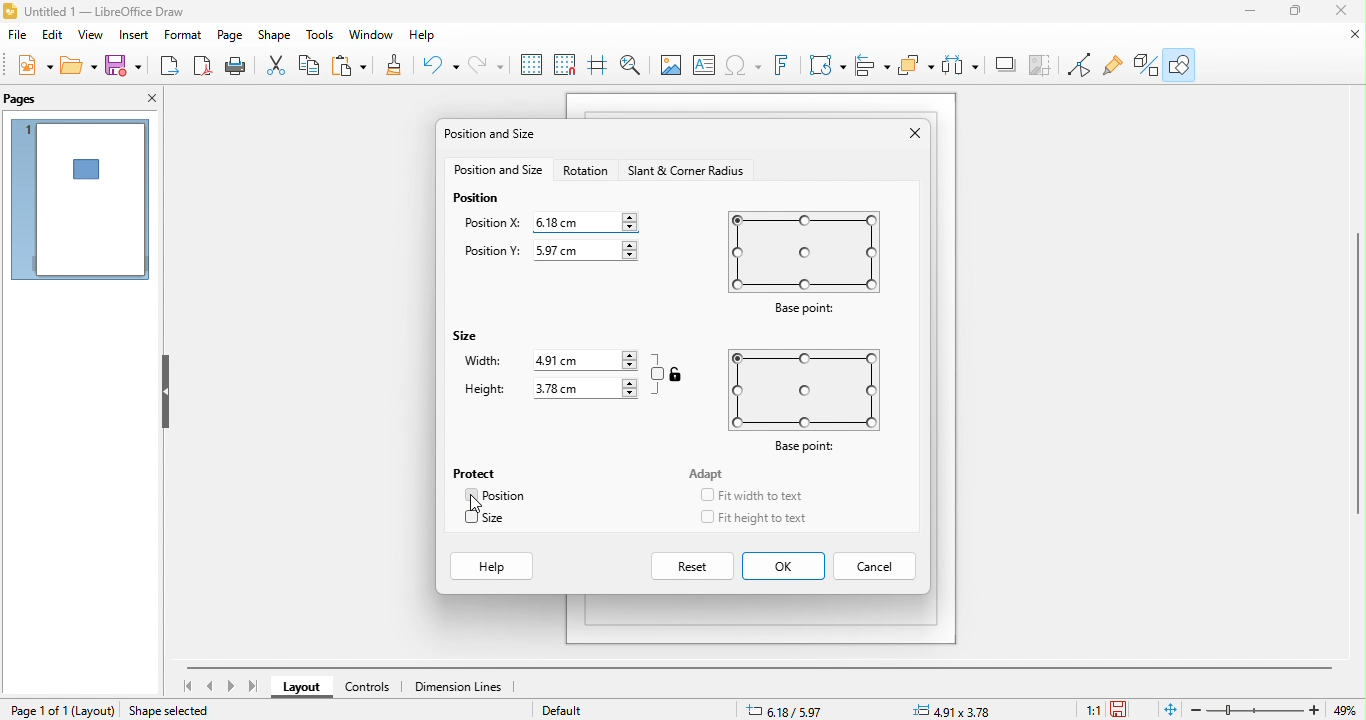 The width and height of the screenshot is (1366, 720). Describe the element at coordinates (532, 65) in the screenshot. I see `display grid` at that location.